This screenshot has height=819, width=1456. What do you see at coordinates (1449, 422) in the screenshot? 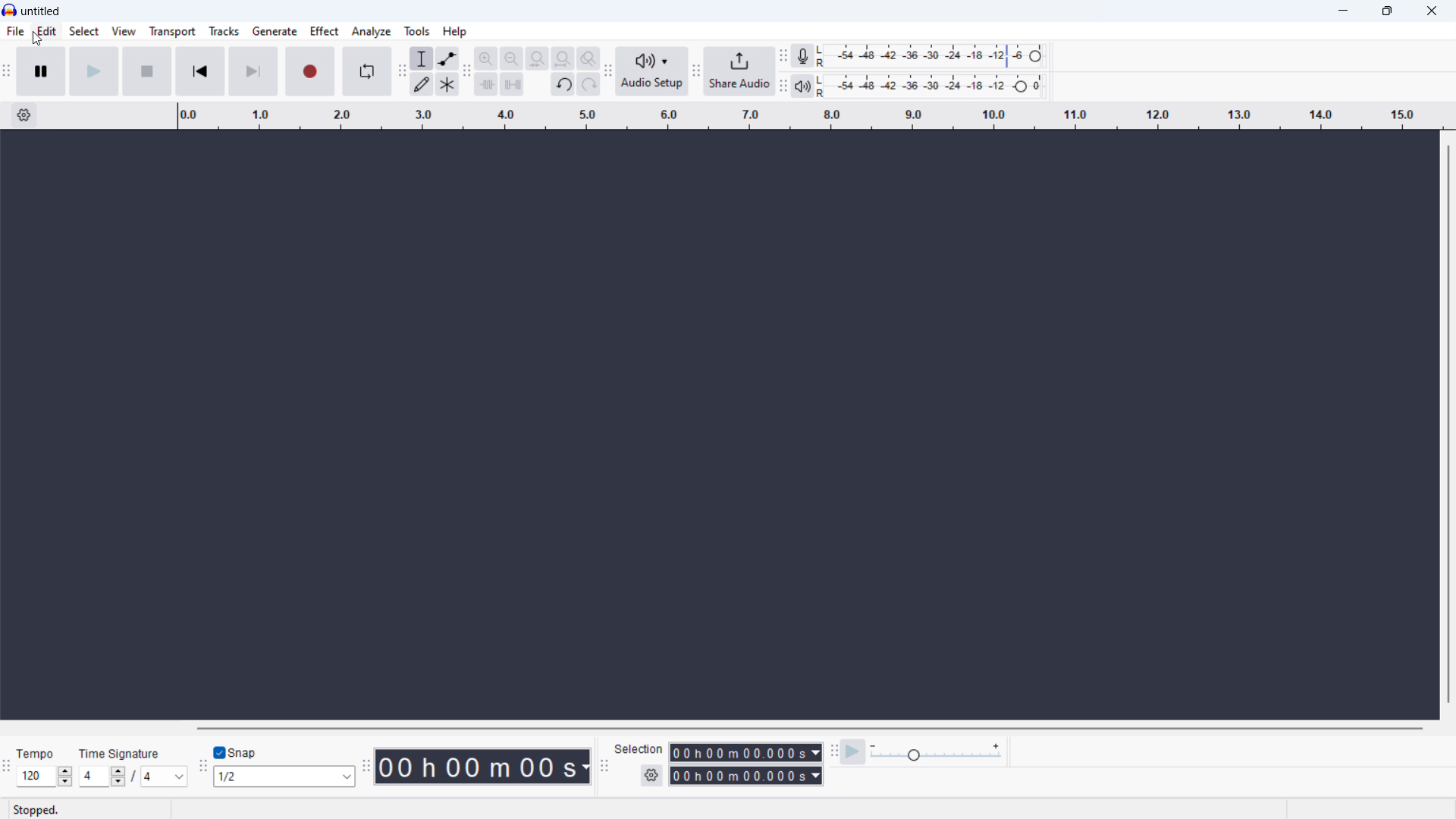
I see `vertical scrollbar` at bounding box center [1449, 422].